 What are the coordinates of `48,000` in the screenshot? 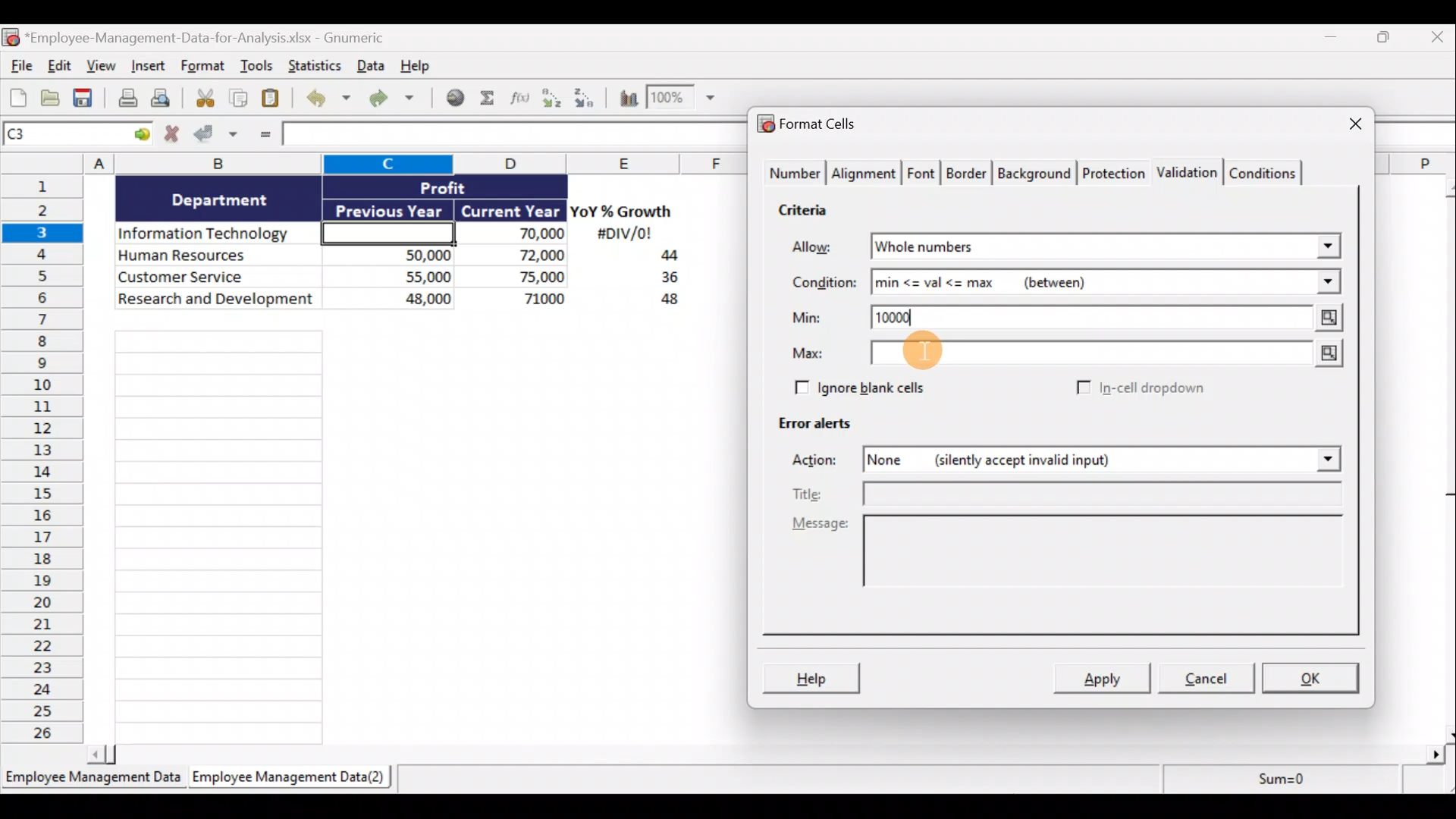 It's located at (397, 301).